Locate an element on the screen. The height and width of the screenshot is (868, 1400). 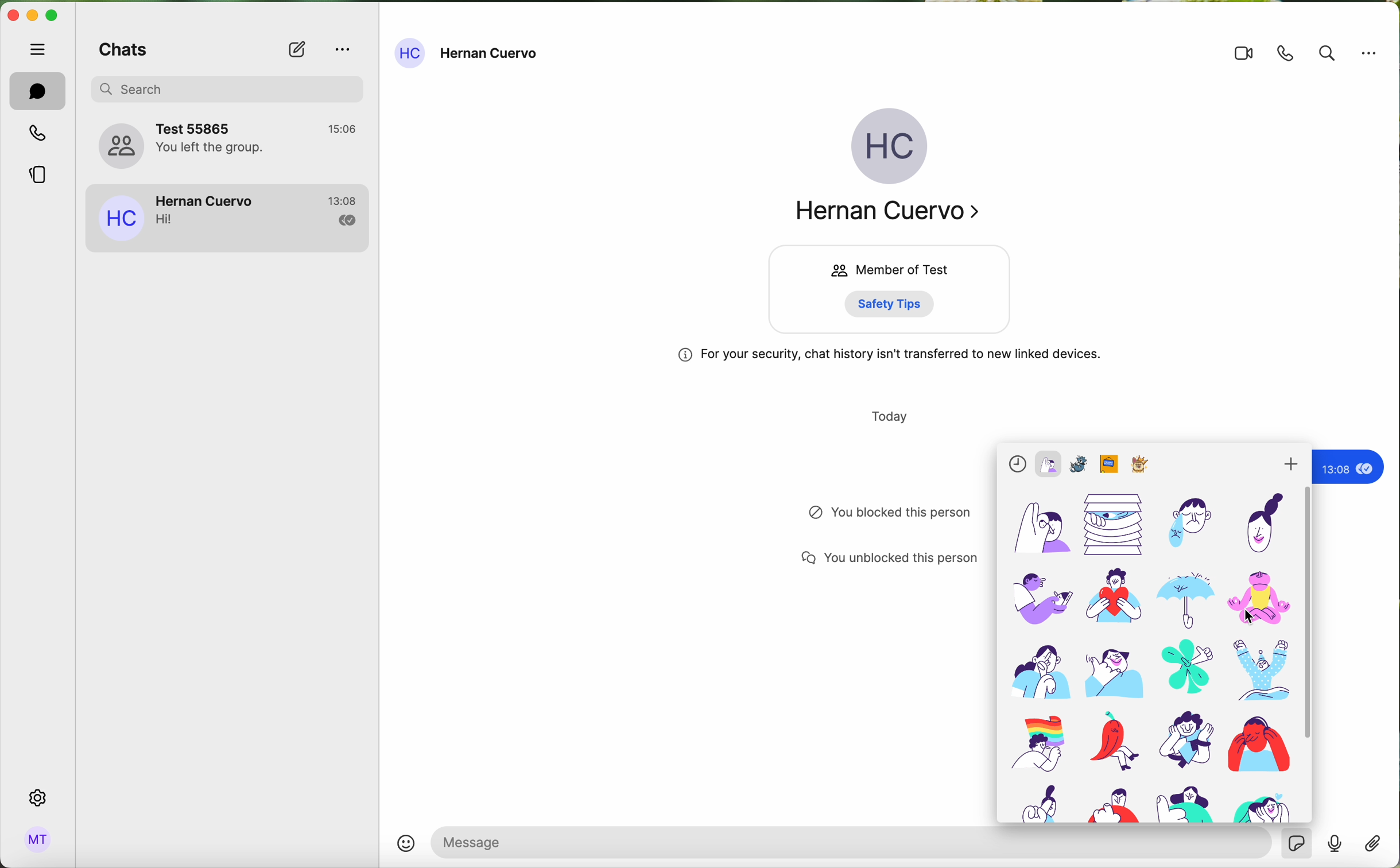
MEMBER OF TEST is located at coordinates (885, 269).